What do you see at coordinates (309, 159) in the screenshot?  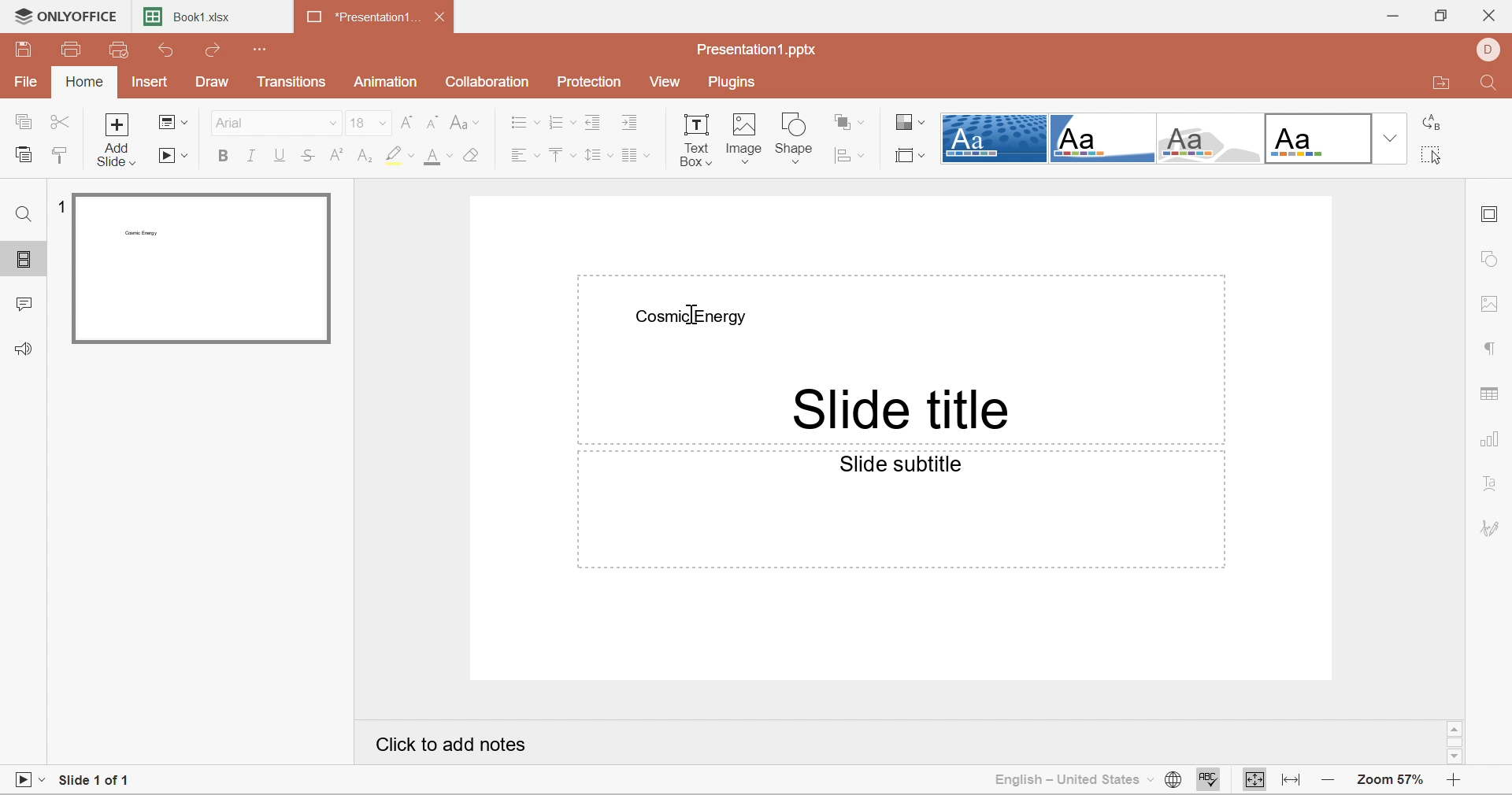 I see `Strikethrough` at bounding box center [309, 159].